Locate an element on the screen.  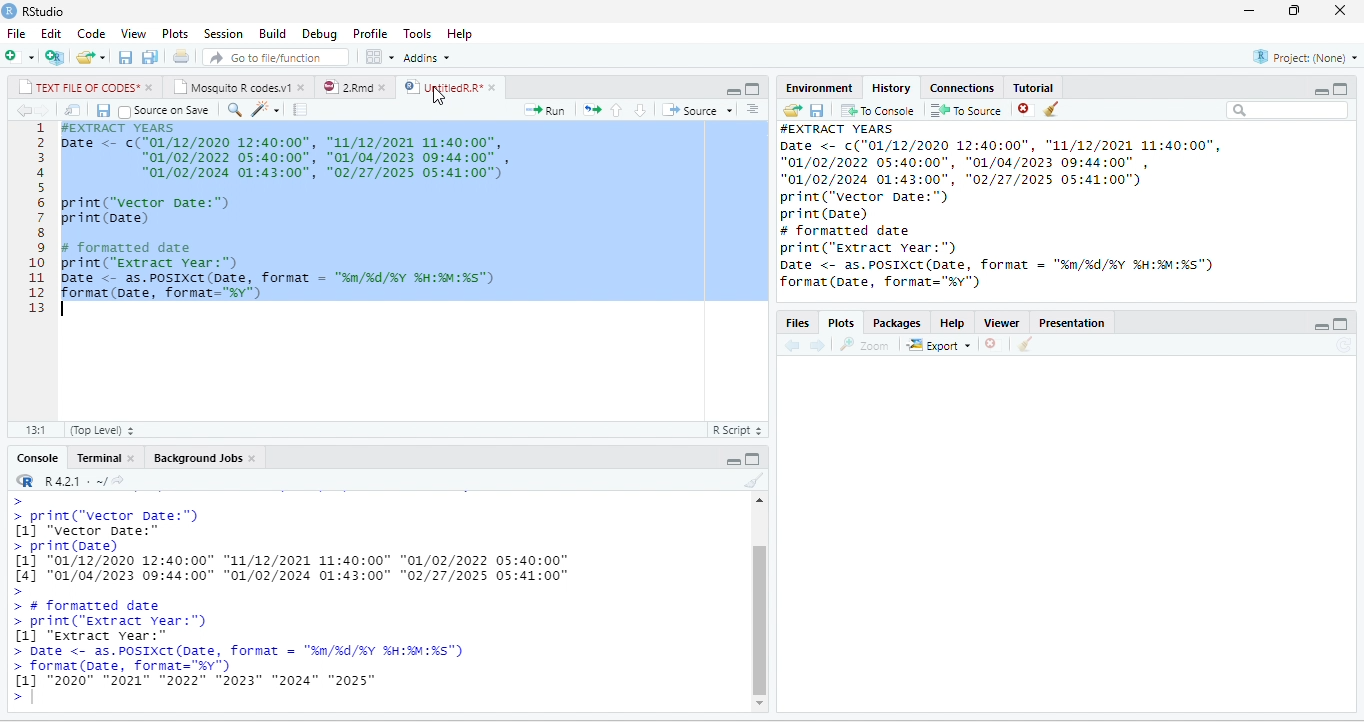
Background Jobs is located at coordinates (196, 458).